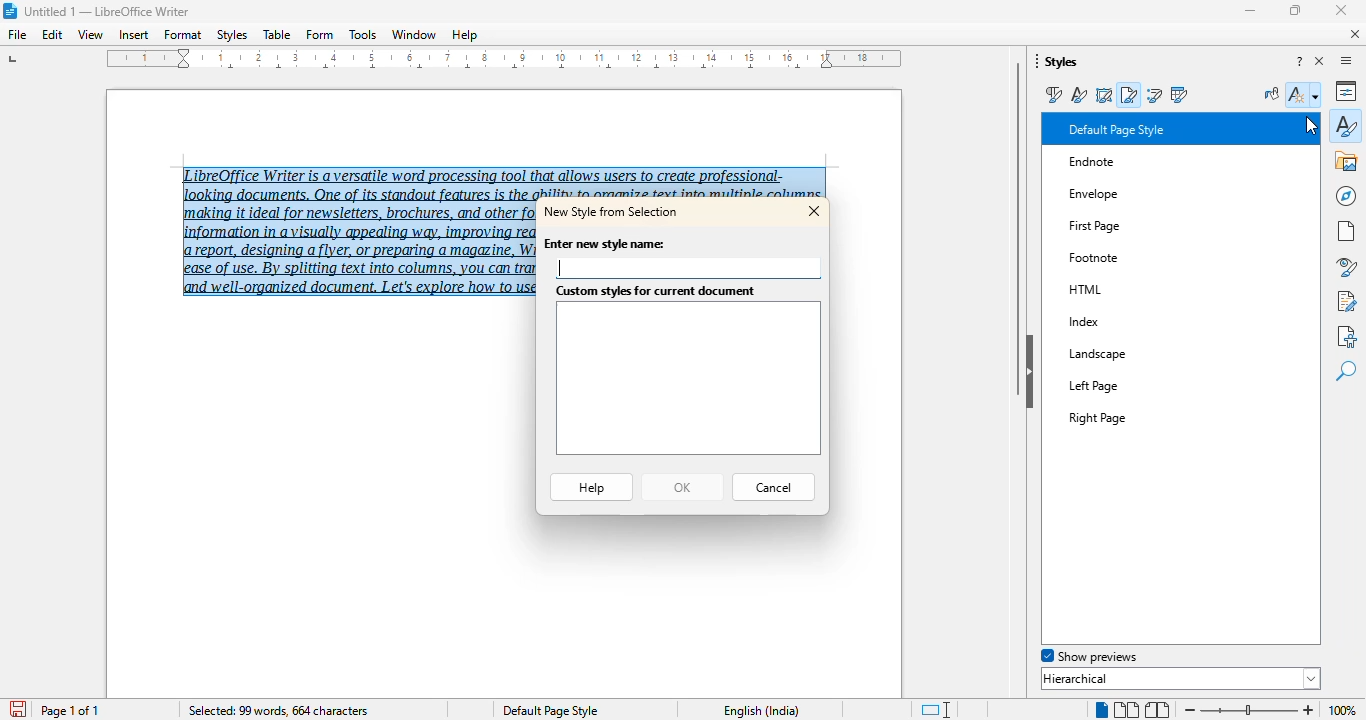 The width and height of the screenshot is (1366, 720). What do you see at coordinates (591, 487) in the screenshot?
I see `help` at bounding box center [591, 487].